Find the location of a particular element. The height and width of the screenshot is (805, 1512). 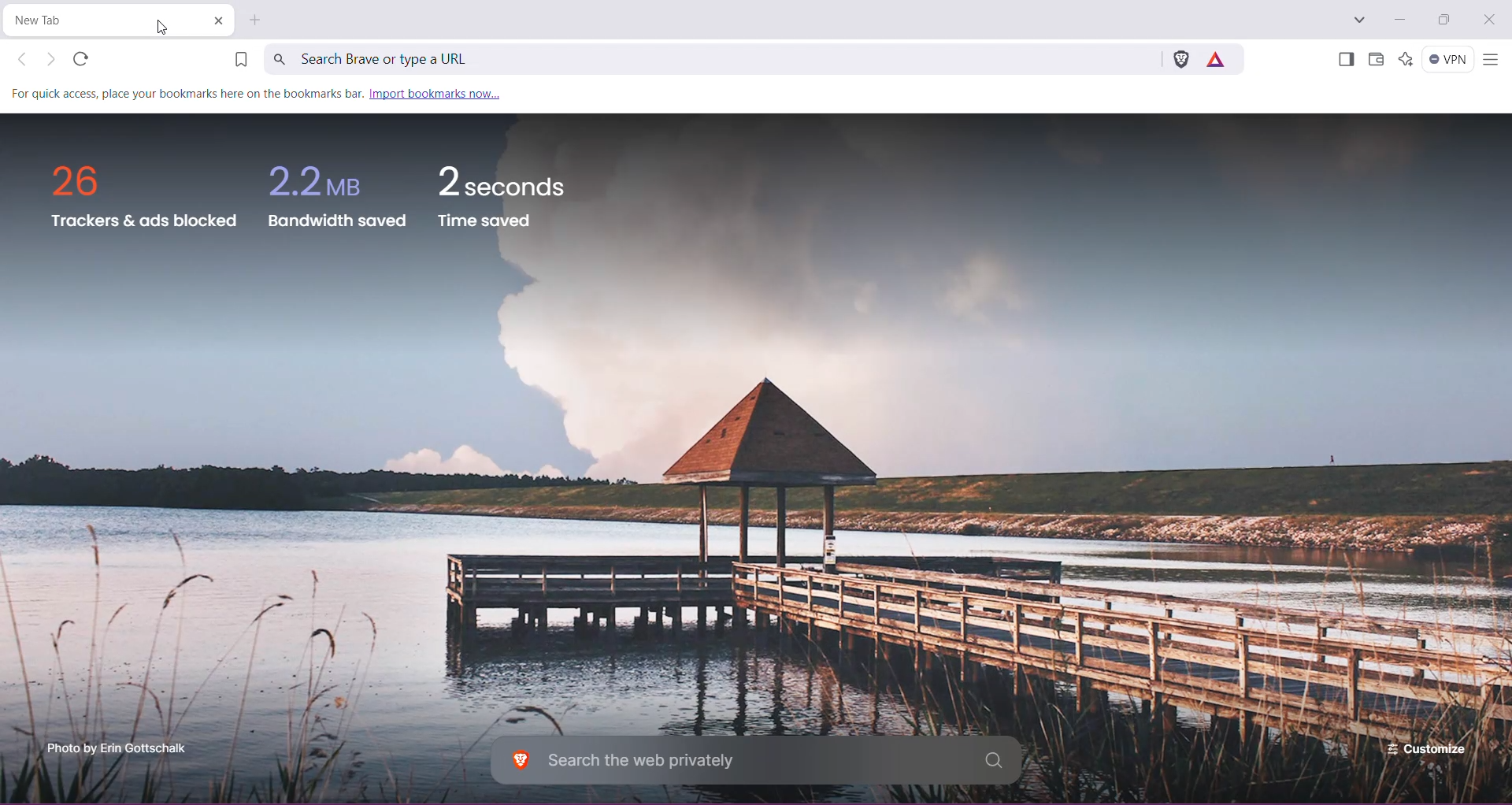

2 seconds time saved is located at coordinates (506, 198).